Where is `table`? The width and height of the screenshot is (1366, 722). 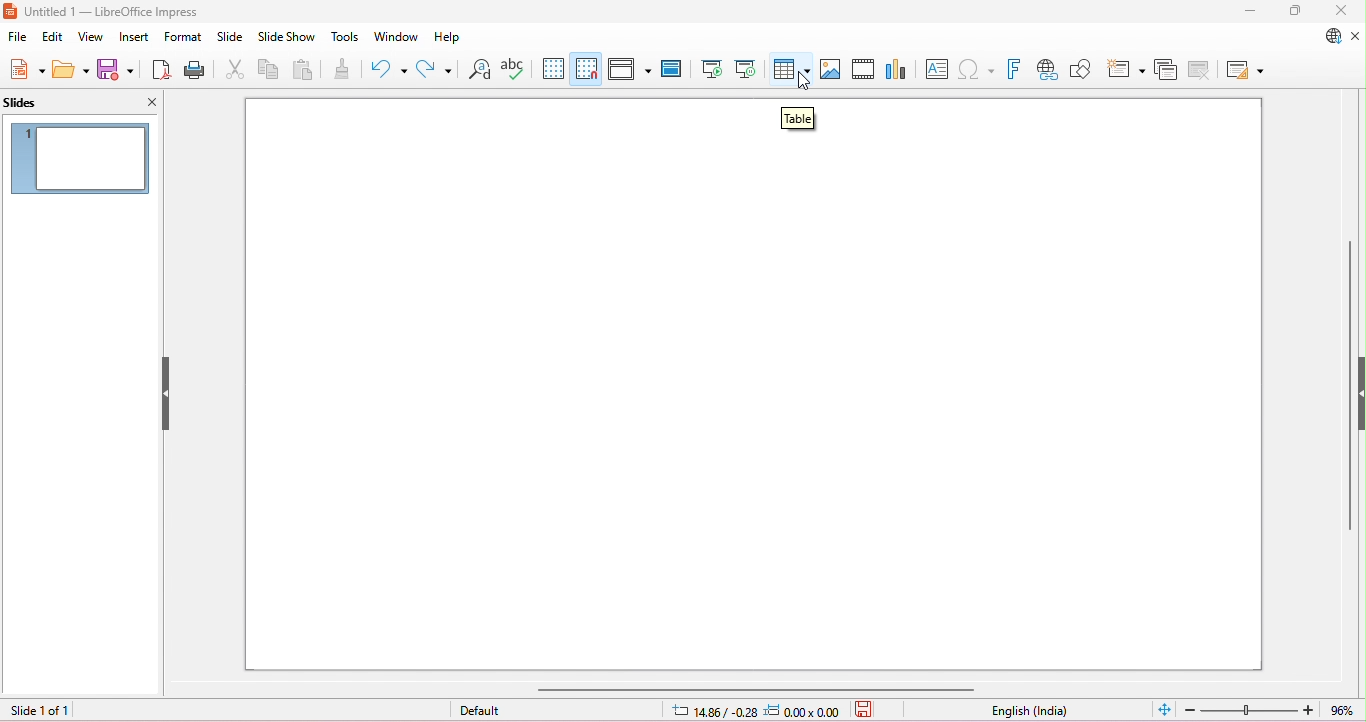 table is located at coordinates (797, 119).